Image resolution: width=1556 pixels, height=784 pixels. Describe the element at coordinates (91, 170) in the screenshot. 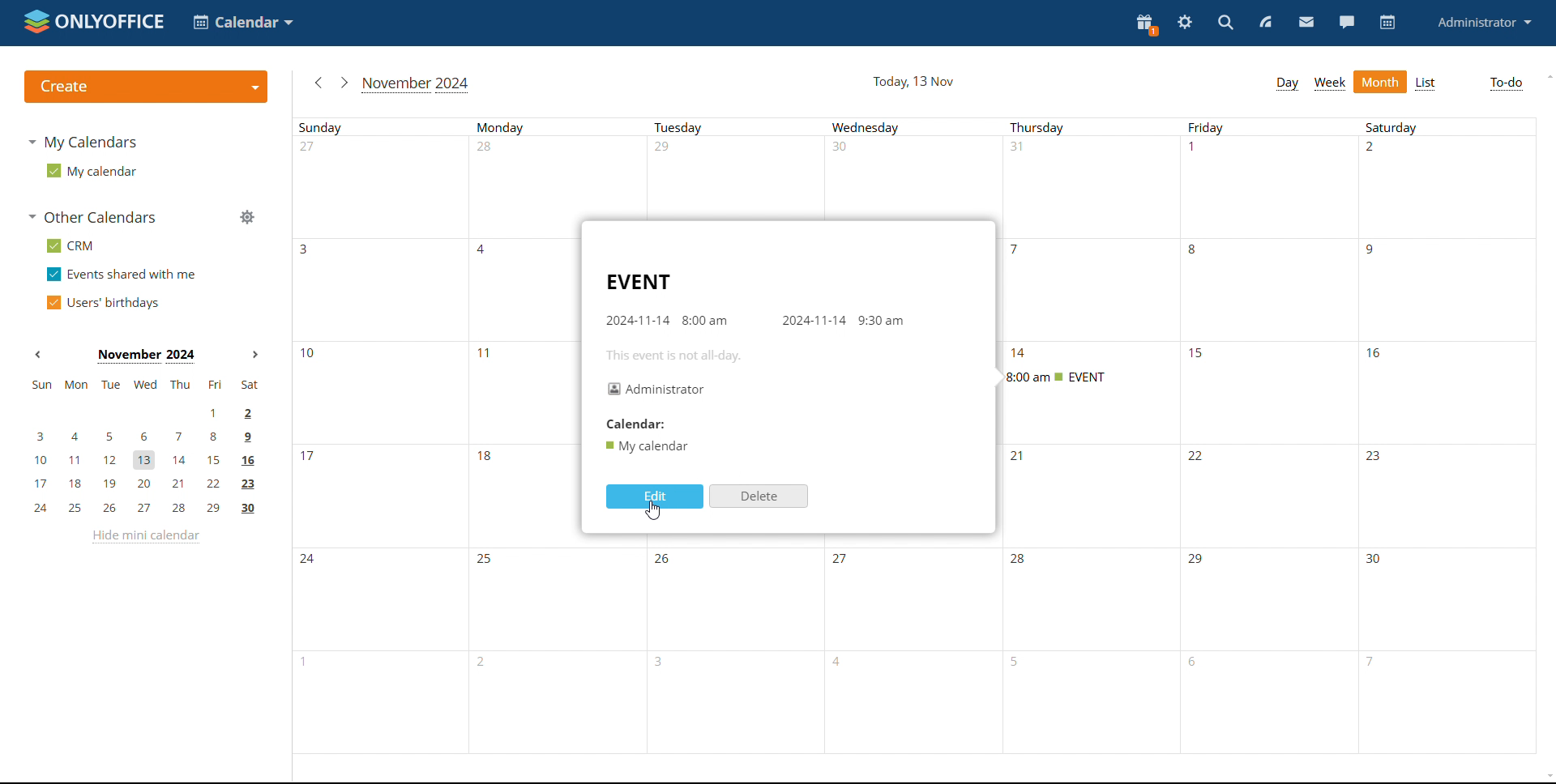

I see `my calendar` at that location.